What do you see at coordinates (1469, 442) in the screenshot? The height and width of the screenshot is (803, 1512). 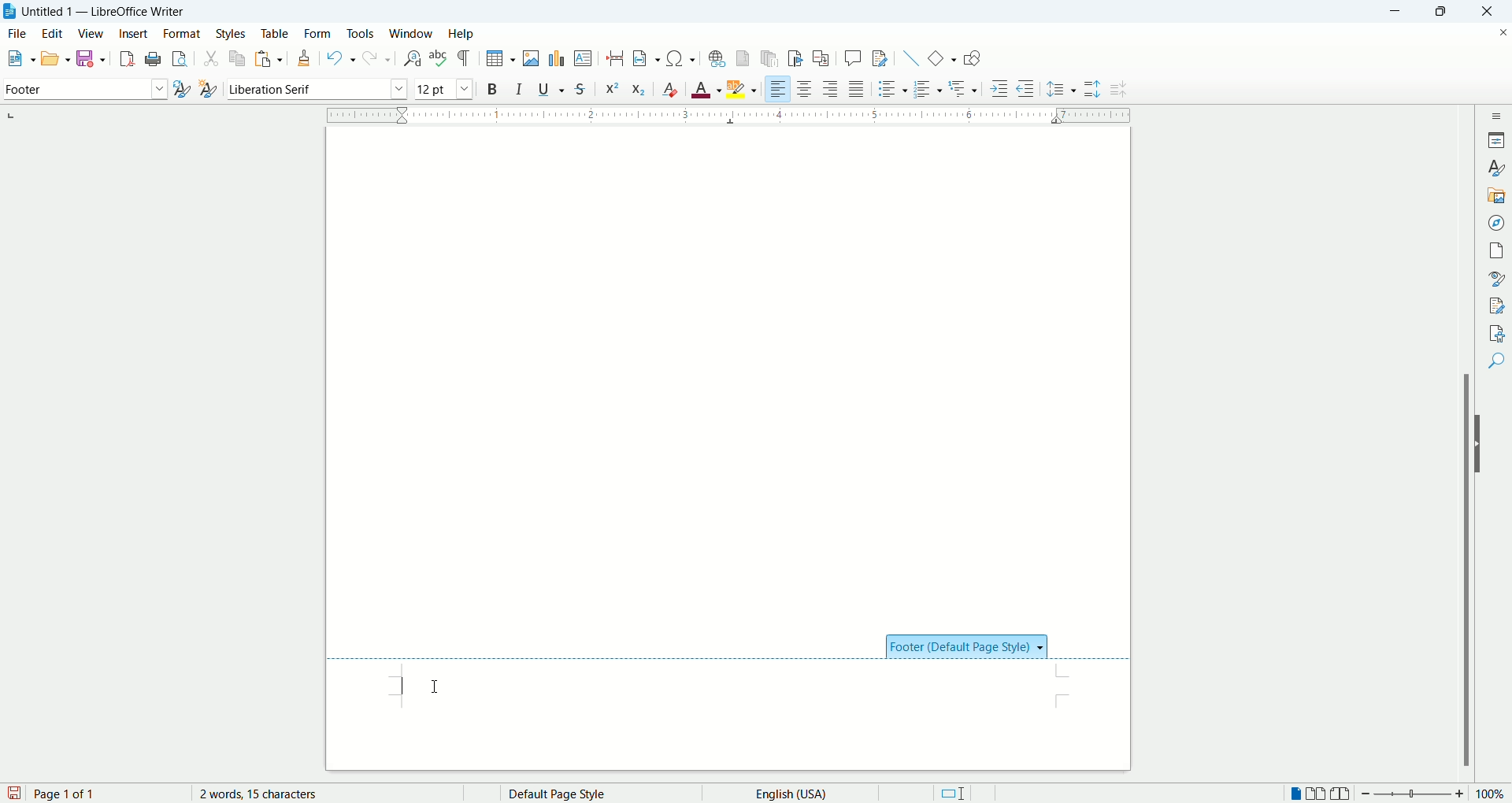 I see `scroll bar` at bounding box center [1469, 442].